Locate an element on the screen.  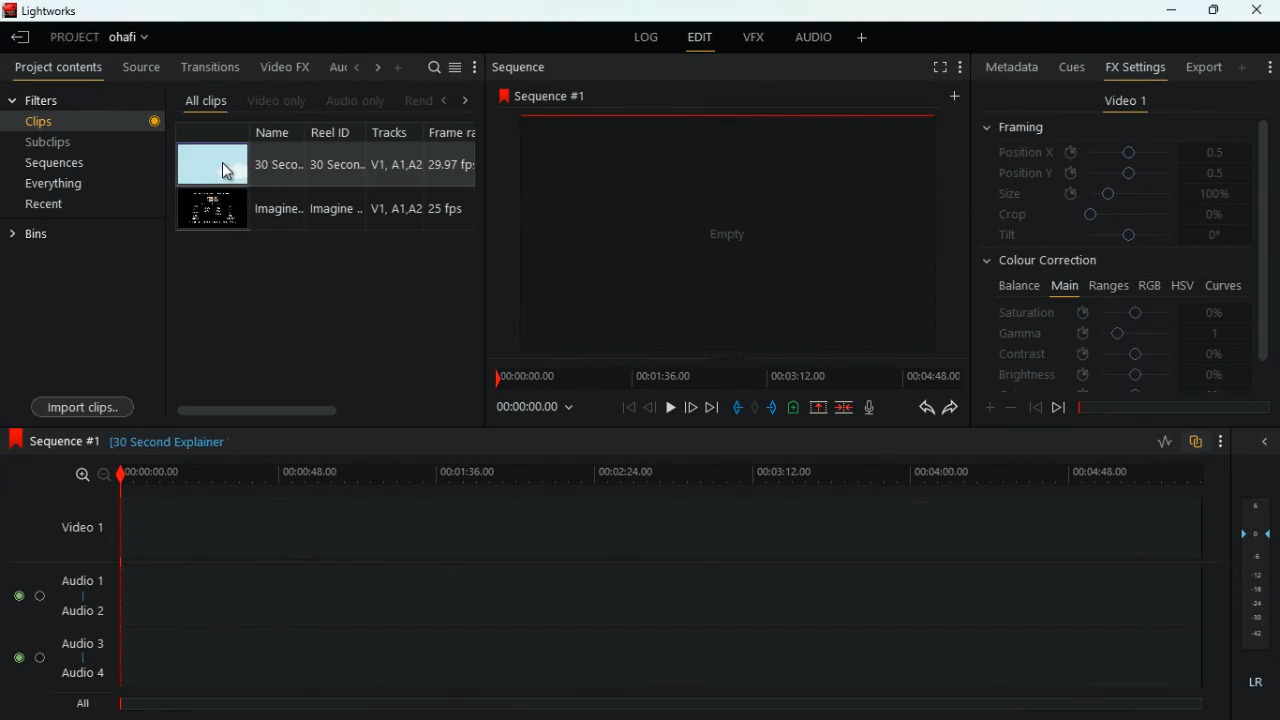
sequence 1 is located at coordinates (53, 441).